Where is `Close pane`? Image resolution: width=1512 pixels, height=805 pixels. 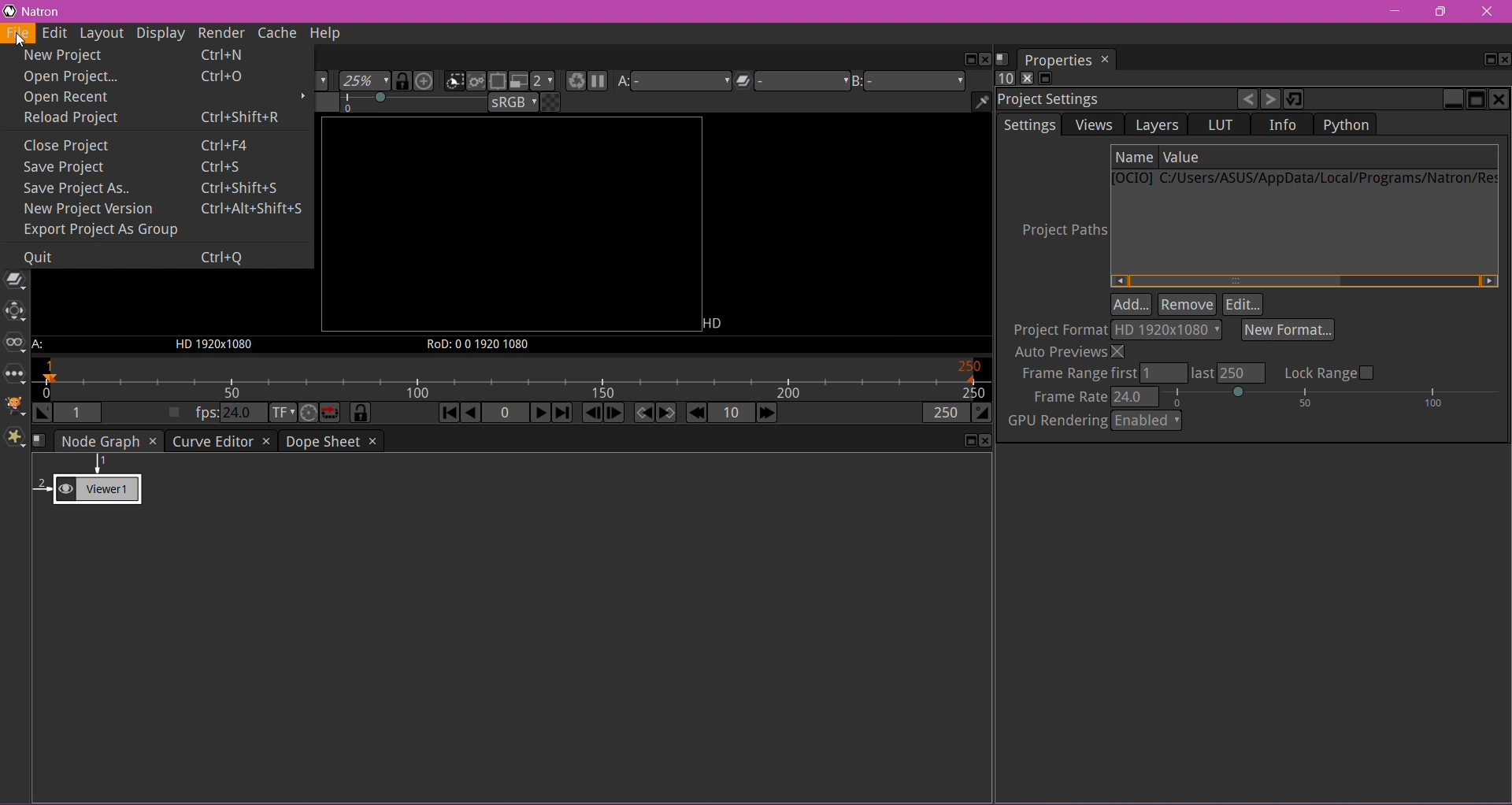
Close pane is located at coordinates (984, 61).